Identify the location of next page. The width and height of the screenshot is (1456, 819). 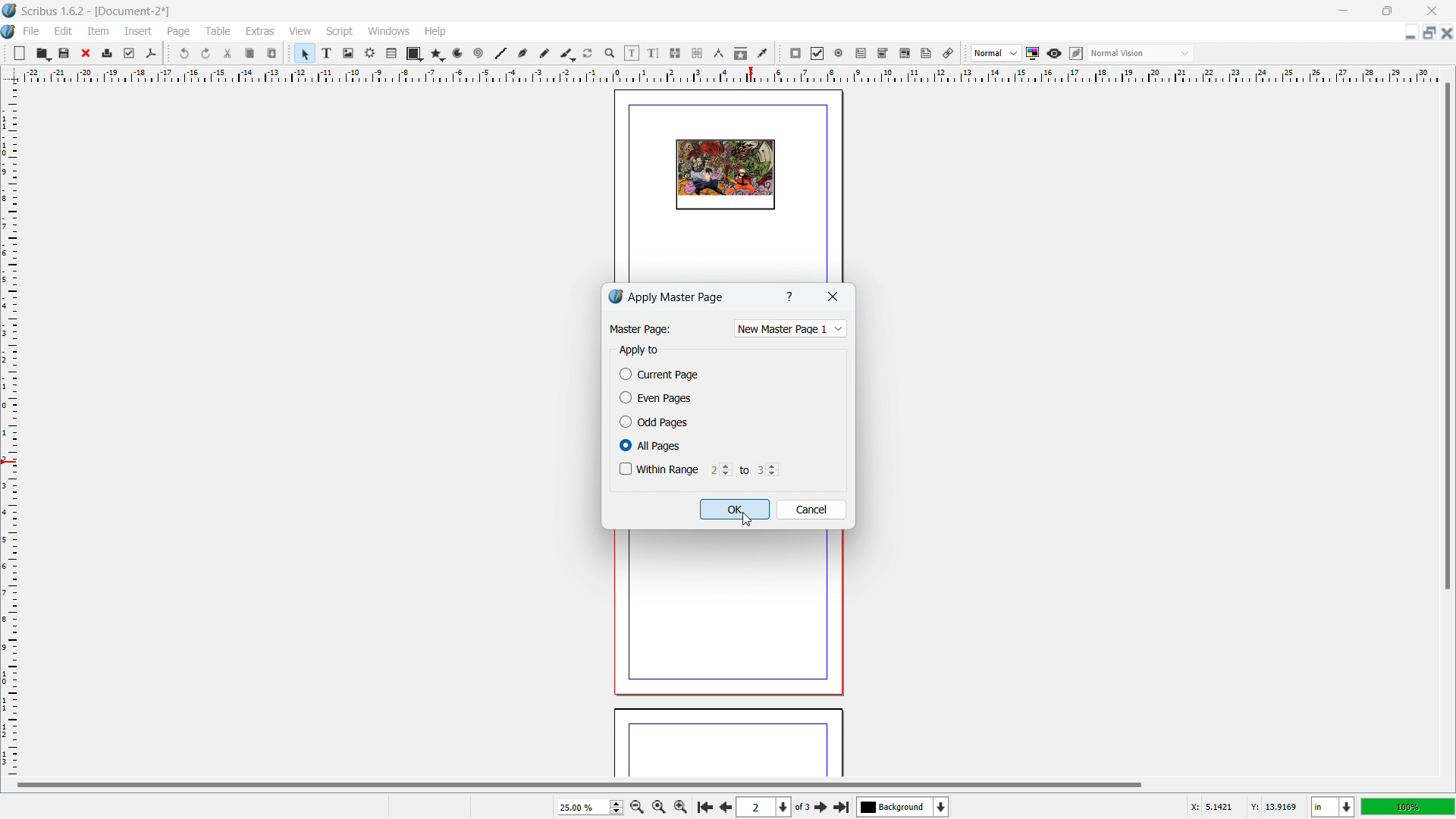
(822, 806).